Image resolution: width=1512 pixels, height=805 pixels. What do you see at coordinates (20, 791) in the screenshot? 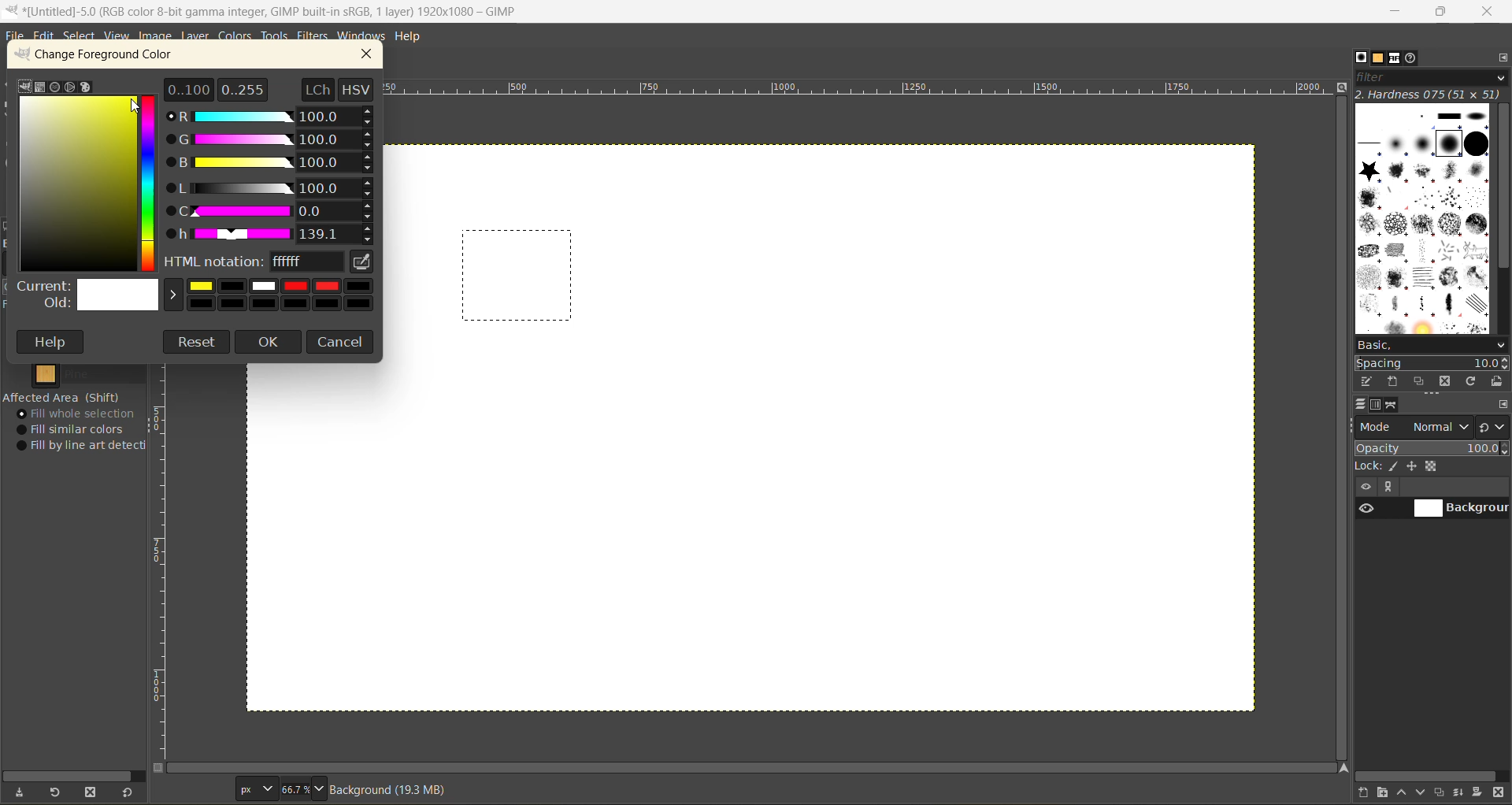
I see `save tool preset` at bounding box center [20, 791].